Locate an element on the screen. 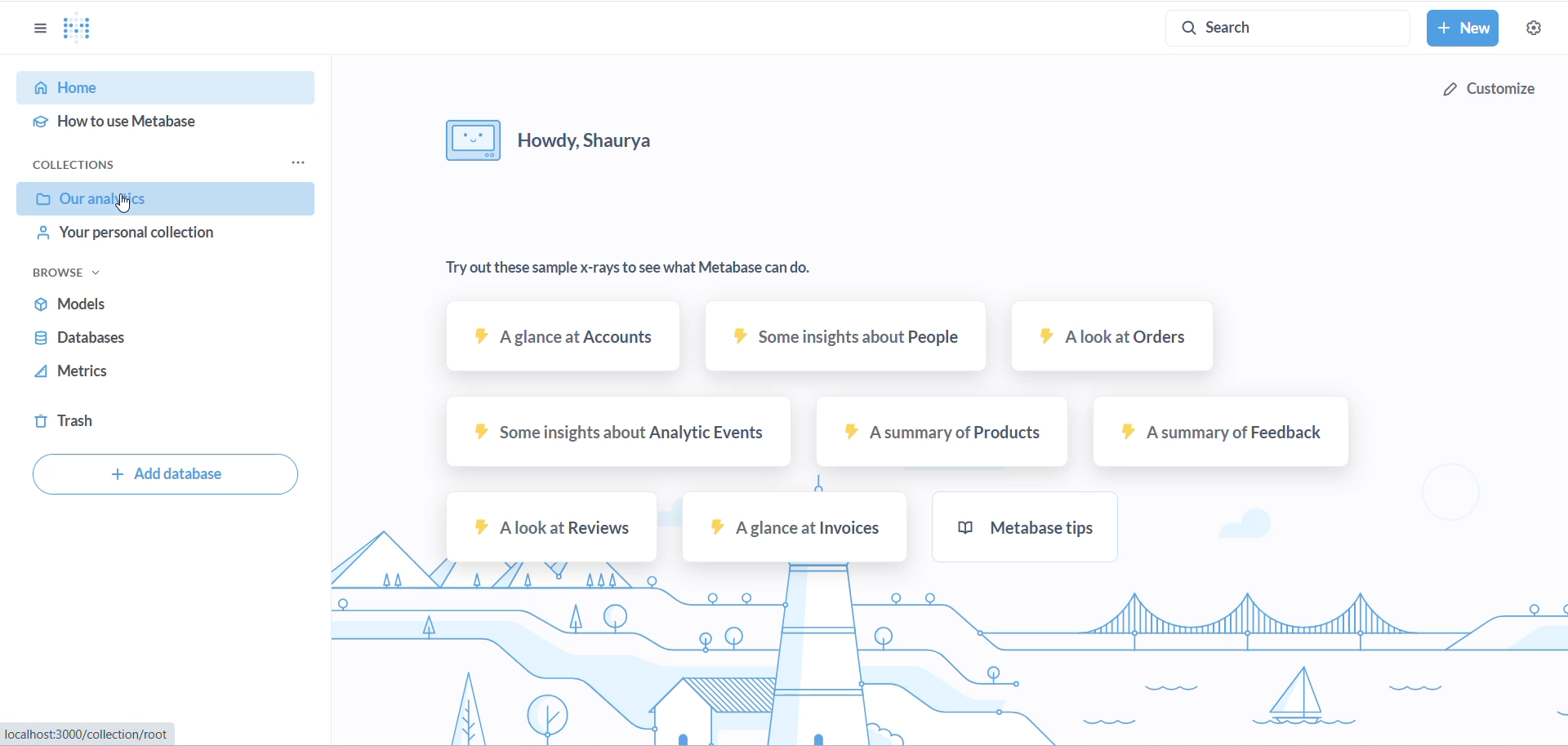 The height and width of the screenshot is (746, 1568). browse is located at coordinates (99, 273).